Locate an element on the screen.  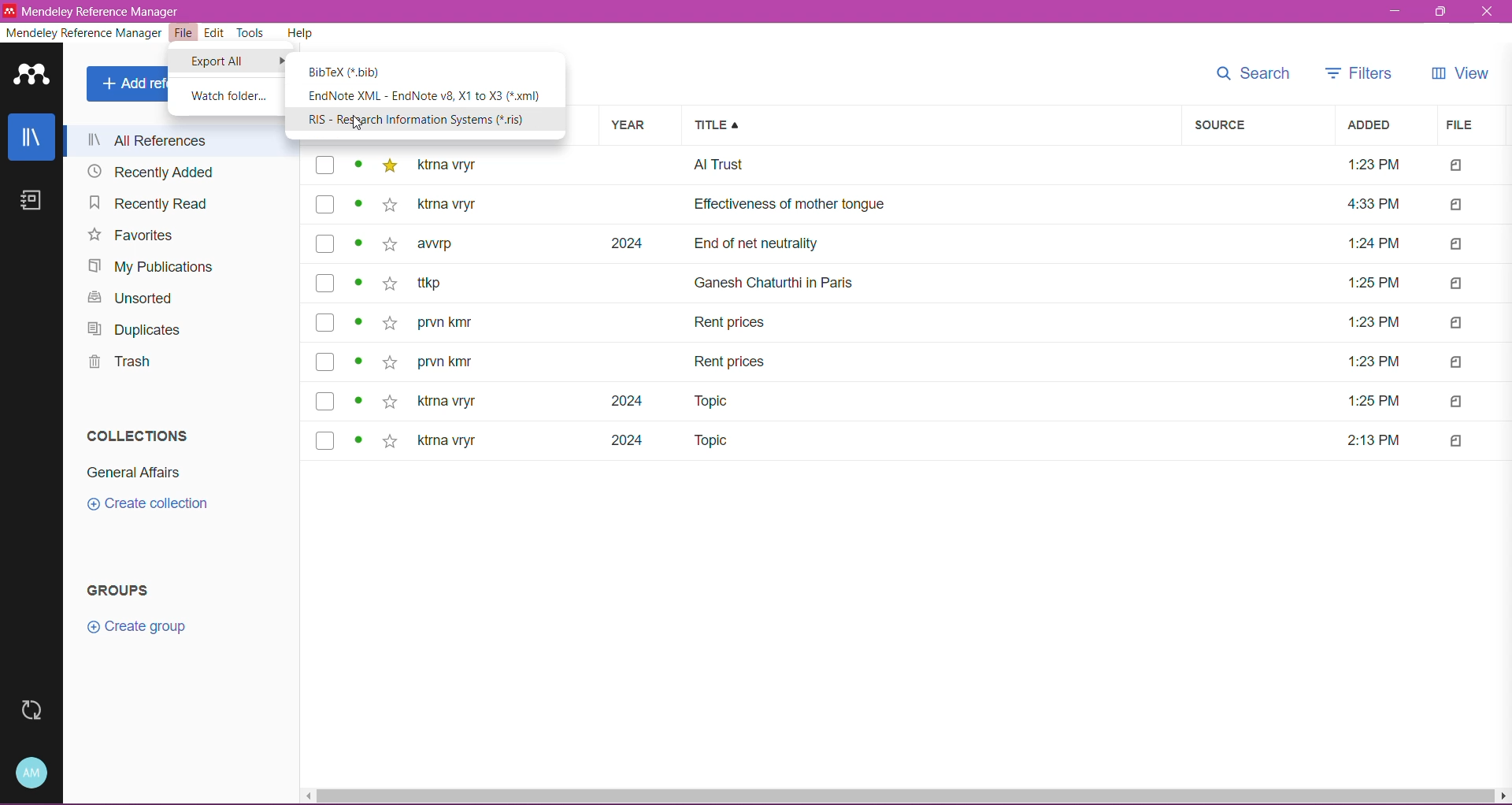
Files Attached is located at coordinates (1471, 302).